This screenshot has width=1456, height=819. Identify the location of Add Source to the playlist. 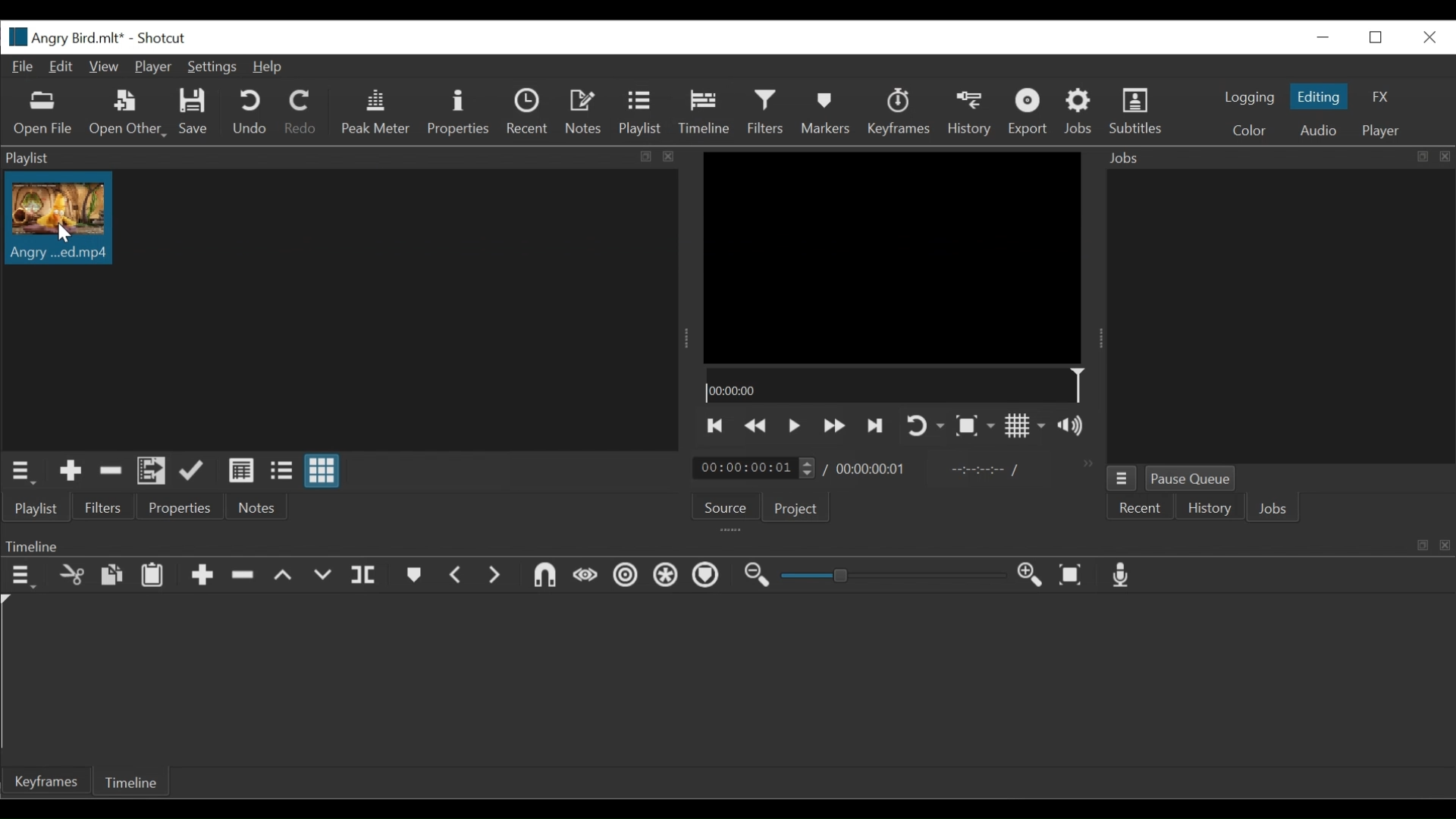
(74, 472).